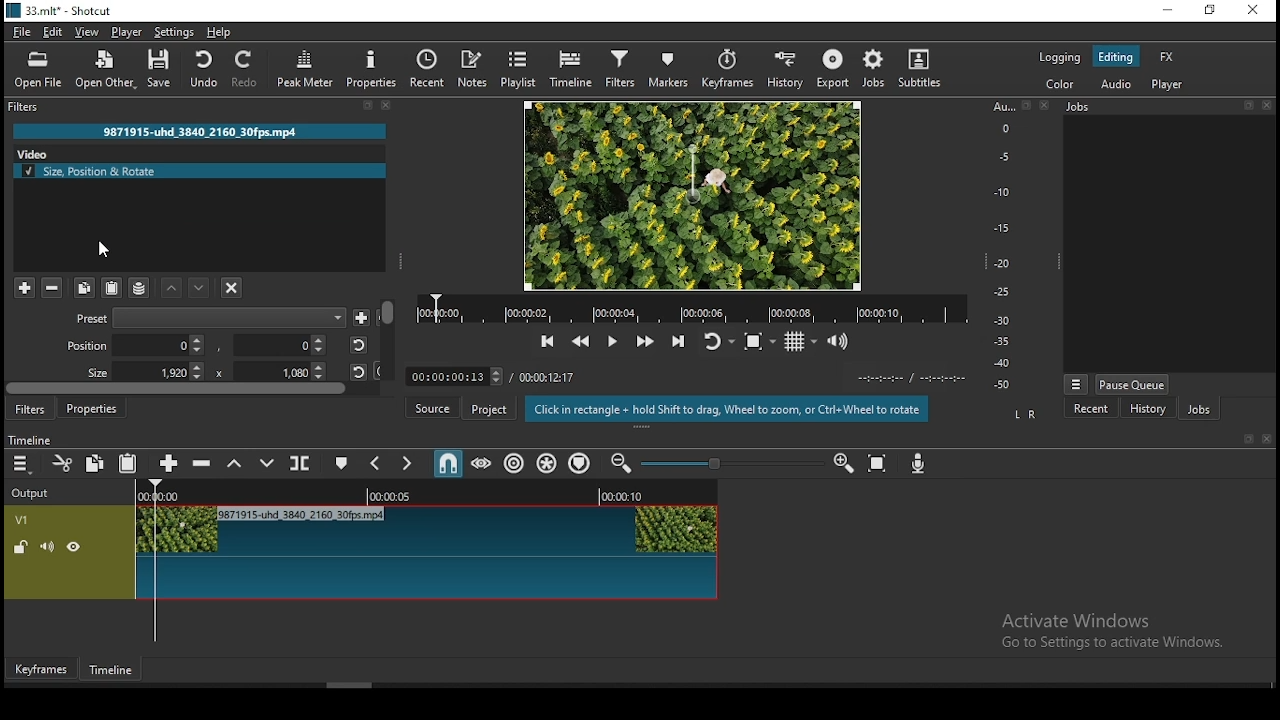 The image size is (1280, 720). I want to click on resize, so click(1025, 105).